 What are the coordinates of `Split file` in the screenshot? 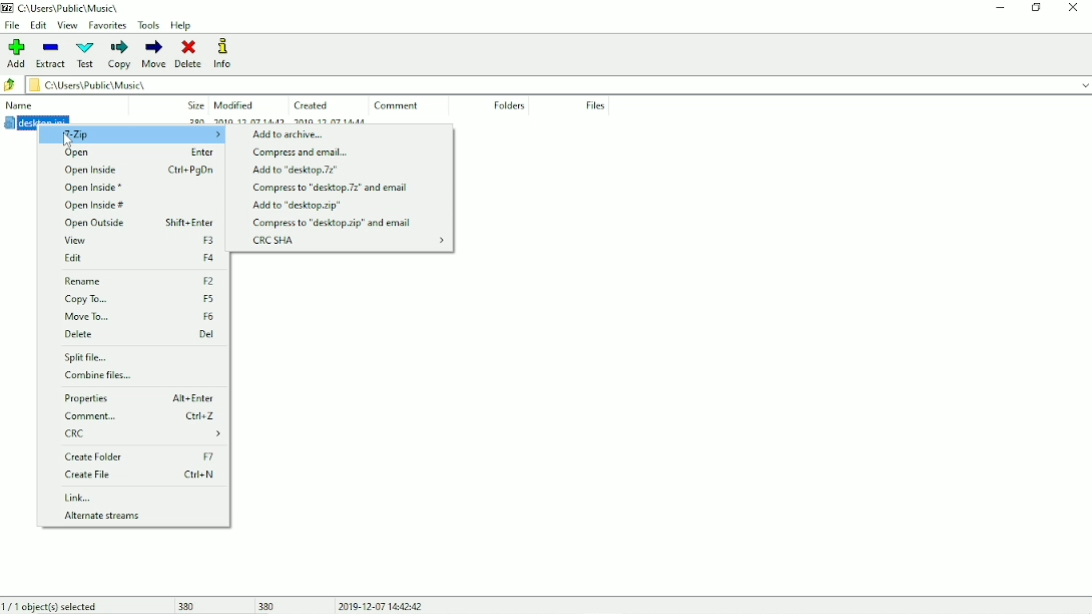 It's located at (90, 358).